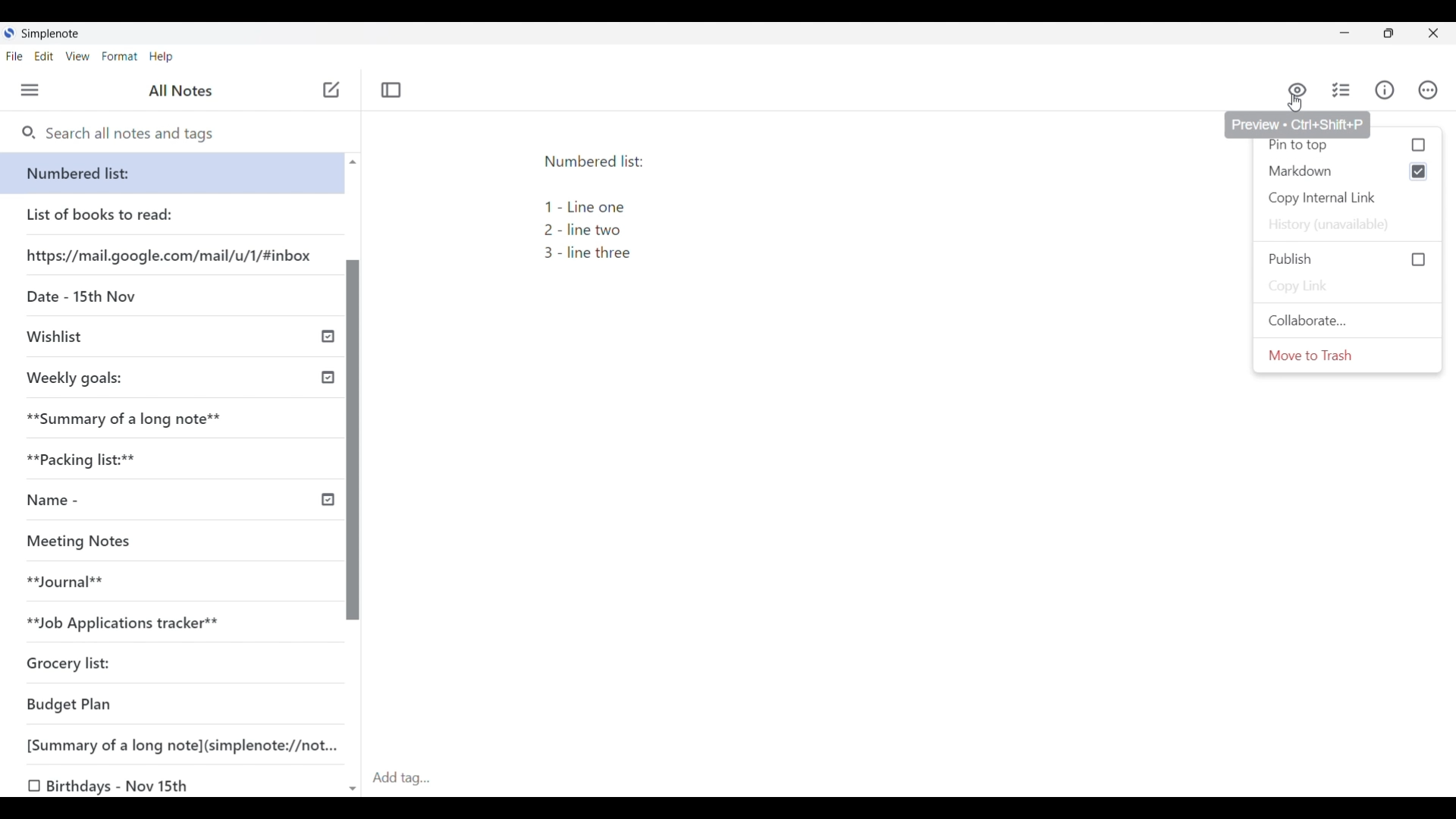 This screenshot has height=819, width=1456. I want to click on 1- Line one
2 - line two
3 - line three, so click(586, 232).